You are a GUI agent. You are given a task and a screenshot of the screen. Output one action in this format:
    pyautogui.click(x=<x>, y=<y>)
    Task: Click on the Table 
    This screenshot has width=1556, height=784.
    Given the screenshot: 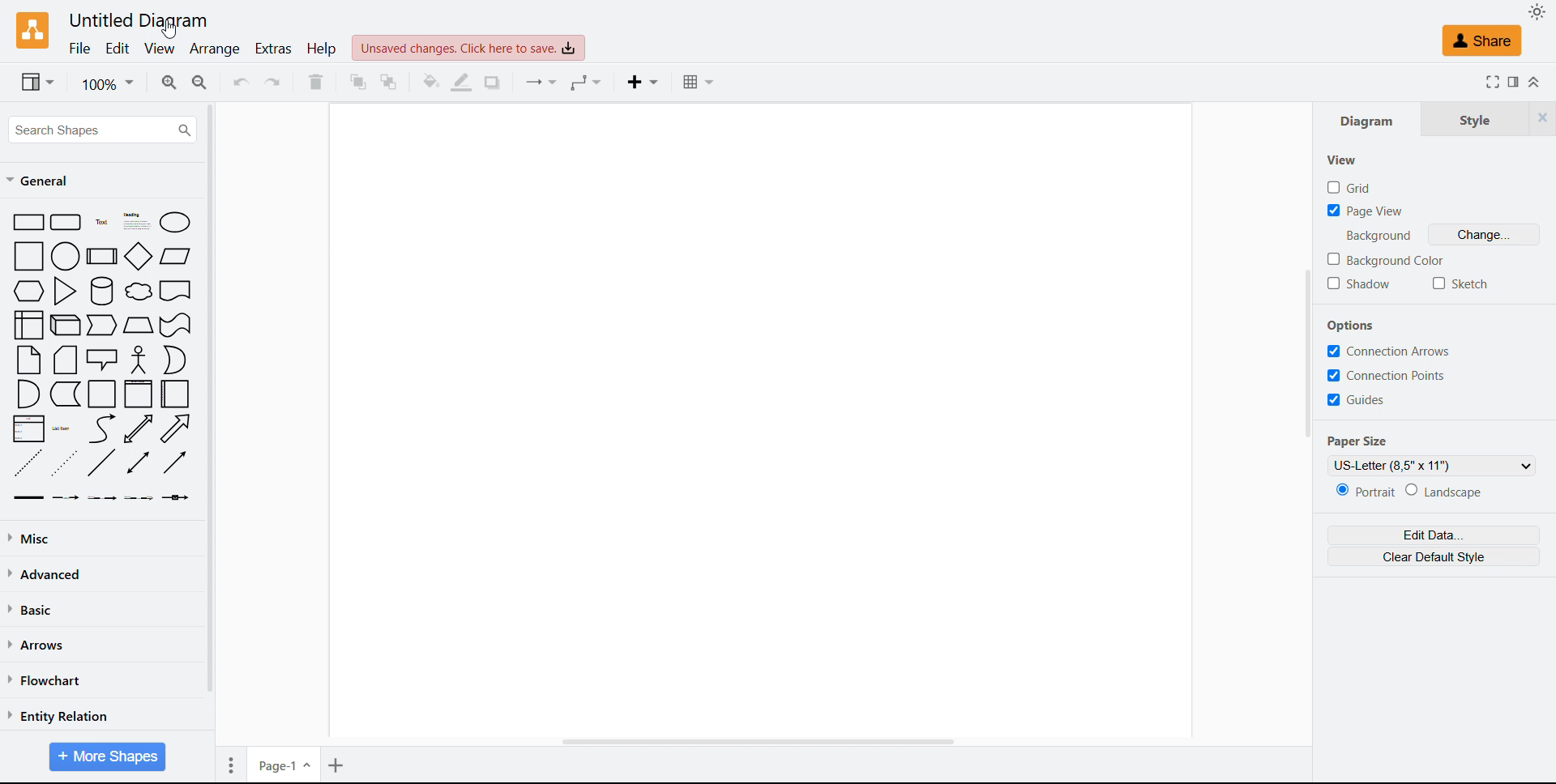 What is the action you would take?
    pyautogui.click(x=699, y=83)
    